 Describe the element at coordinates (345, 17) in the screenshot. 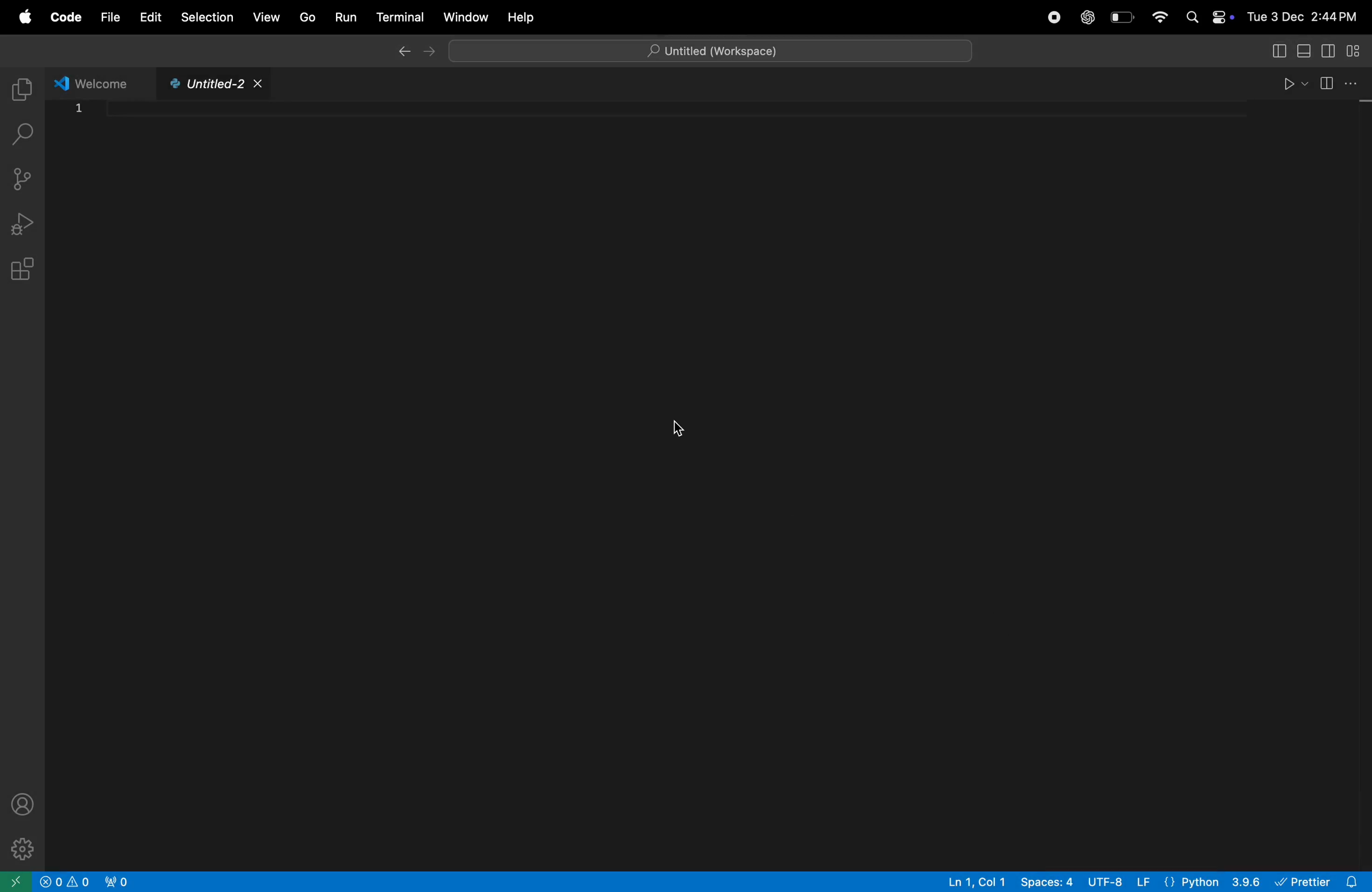

I see `run` at that location.